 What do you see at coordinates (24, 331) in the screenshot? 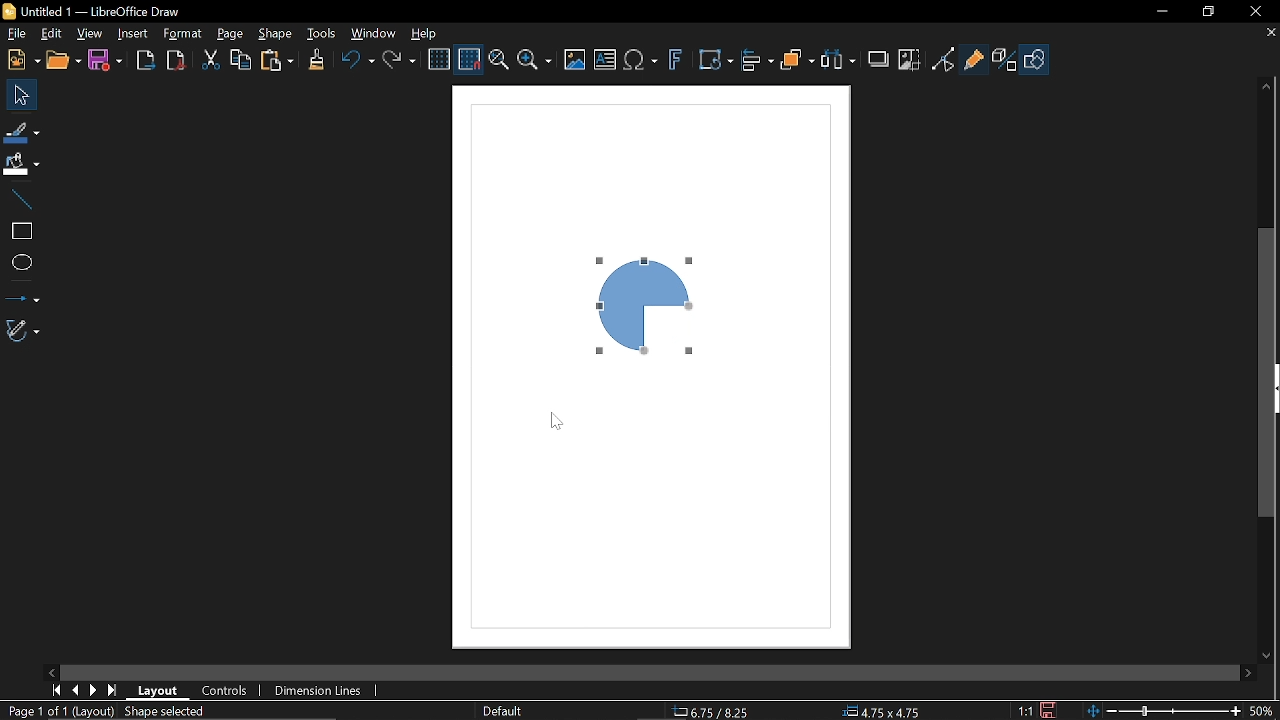
I see `Curve and polygon` at bounding box center [24, 331].